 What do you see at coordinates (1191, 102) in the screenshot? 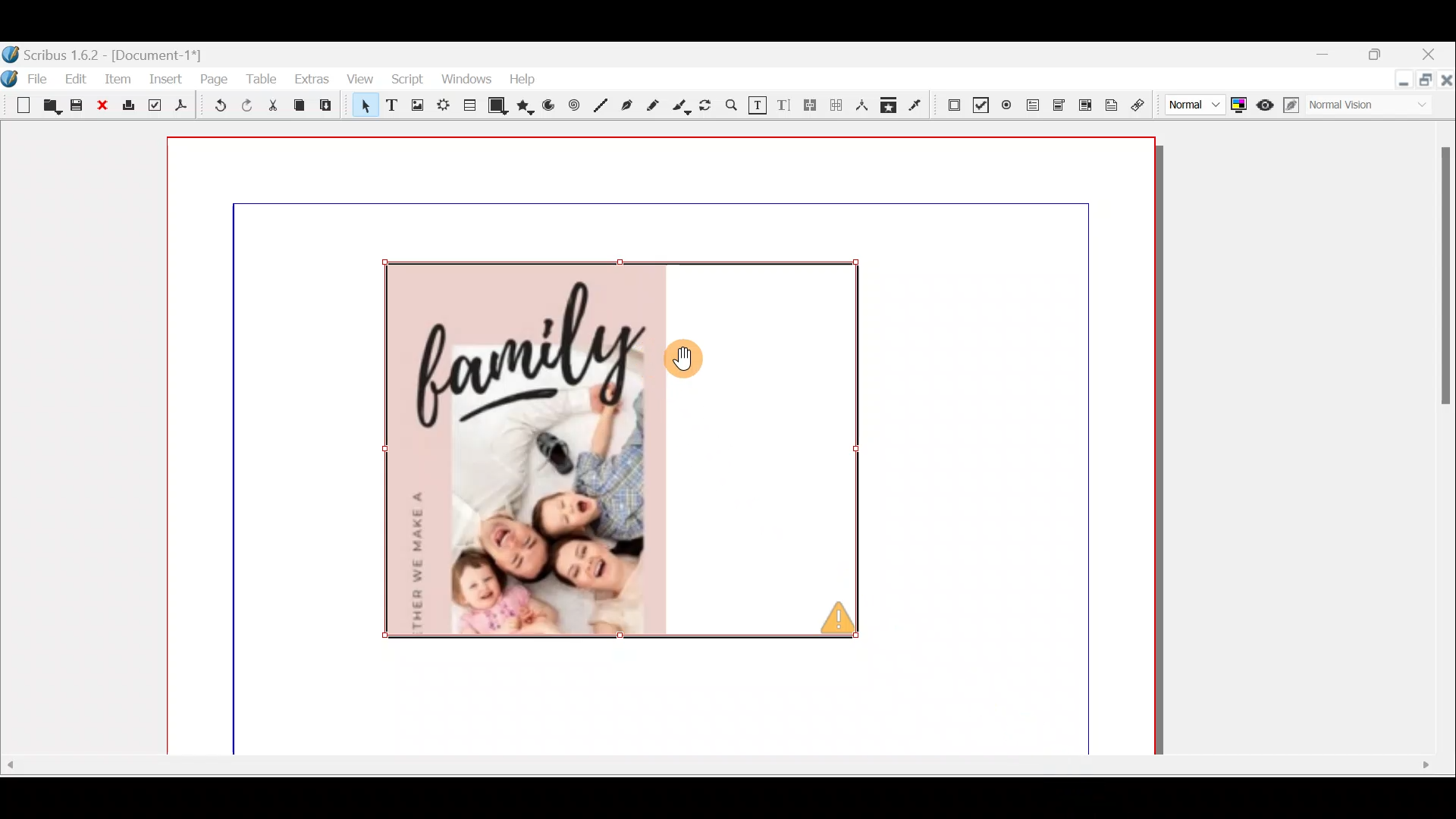
I see `Select image preview quality` at bounding box center [1191, 102].